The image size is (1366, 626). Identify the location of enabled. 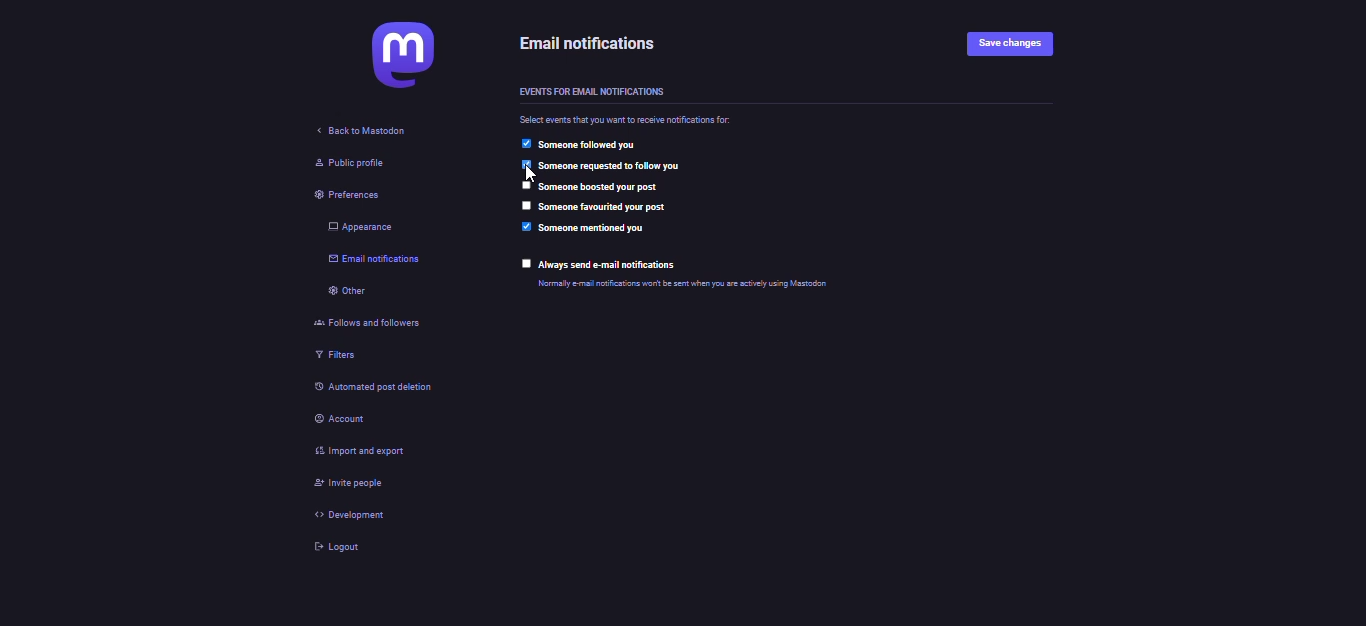
(525, 227).